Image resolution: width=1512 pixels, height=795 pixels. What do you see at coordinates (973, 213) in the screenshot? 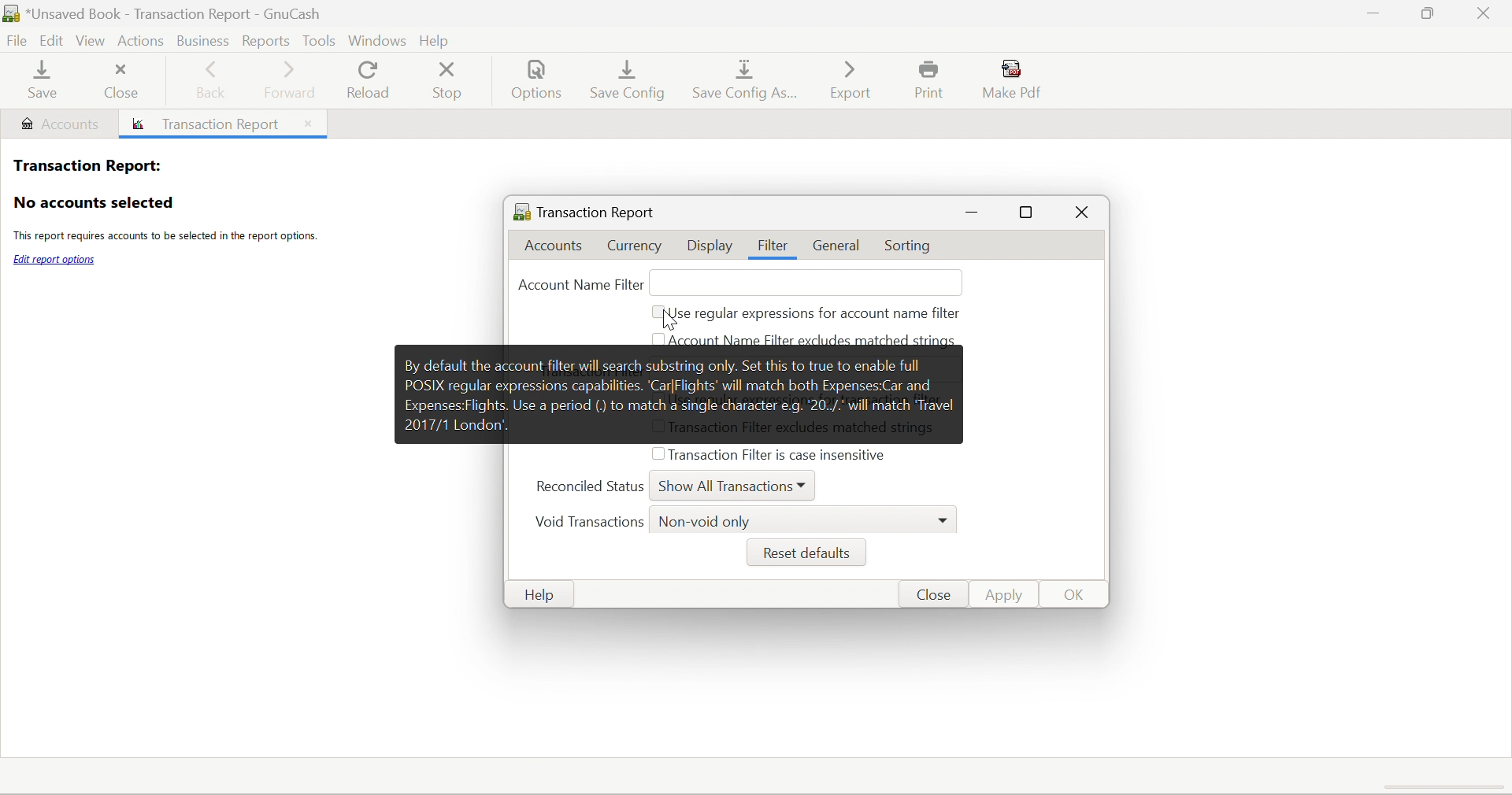
I see `Minimize` at bounding box center [973, 213].